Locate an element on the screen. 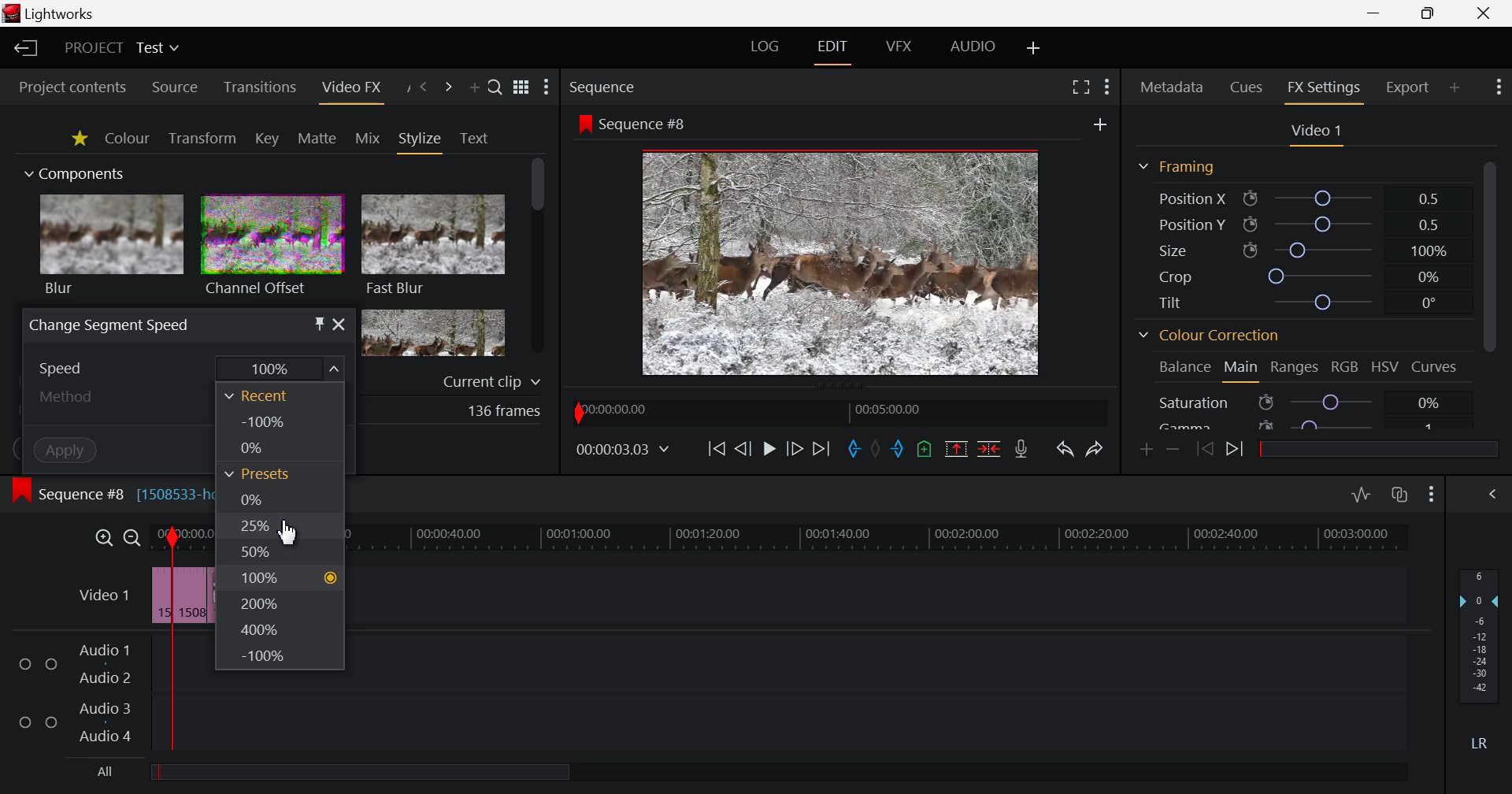 This screenshot has height=794, width=1512. Cursor on Play is located at coordinates (769, 449).